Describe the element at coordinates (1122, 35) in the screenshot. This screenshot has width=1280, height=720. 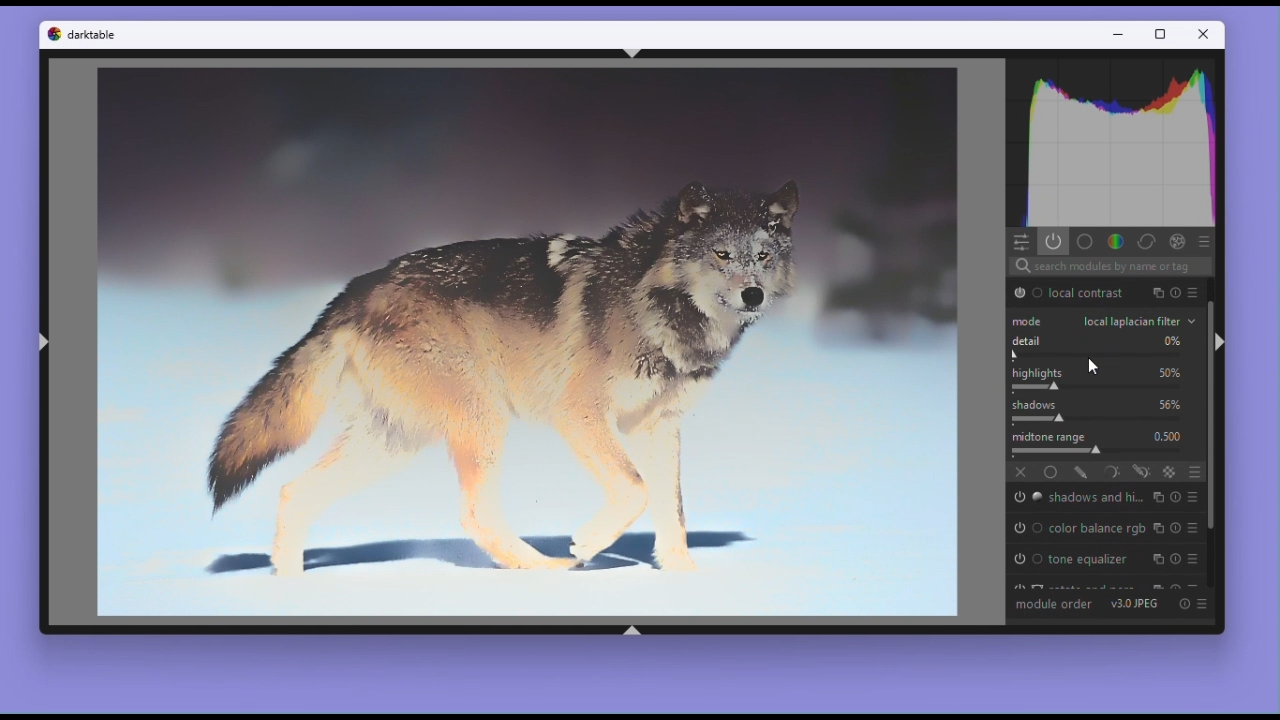
I see `minimize` at that location.